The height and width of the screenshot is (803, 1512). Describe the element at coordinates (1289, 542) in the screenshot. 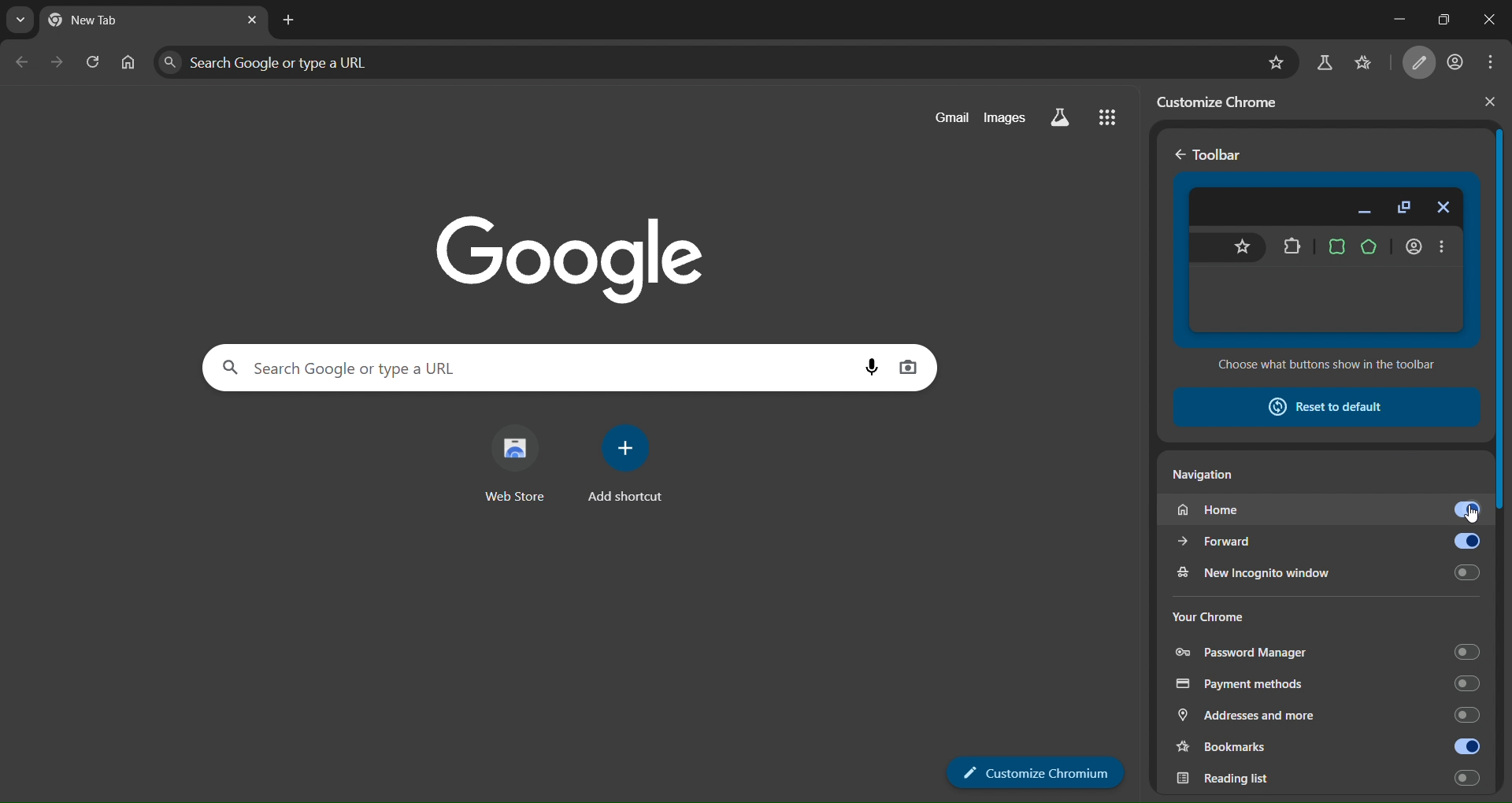

I see `forward` at that location.